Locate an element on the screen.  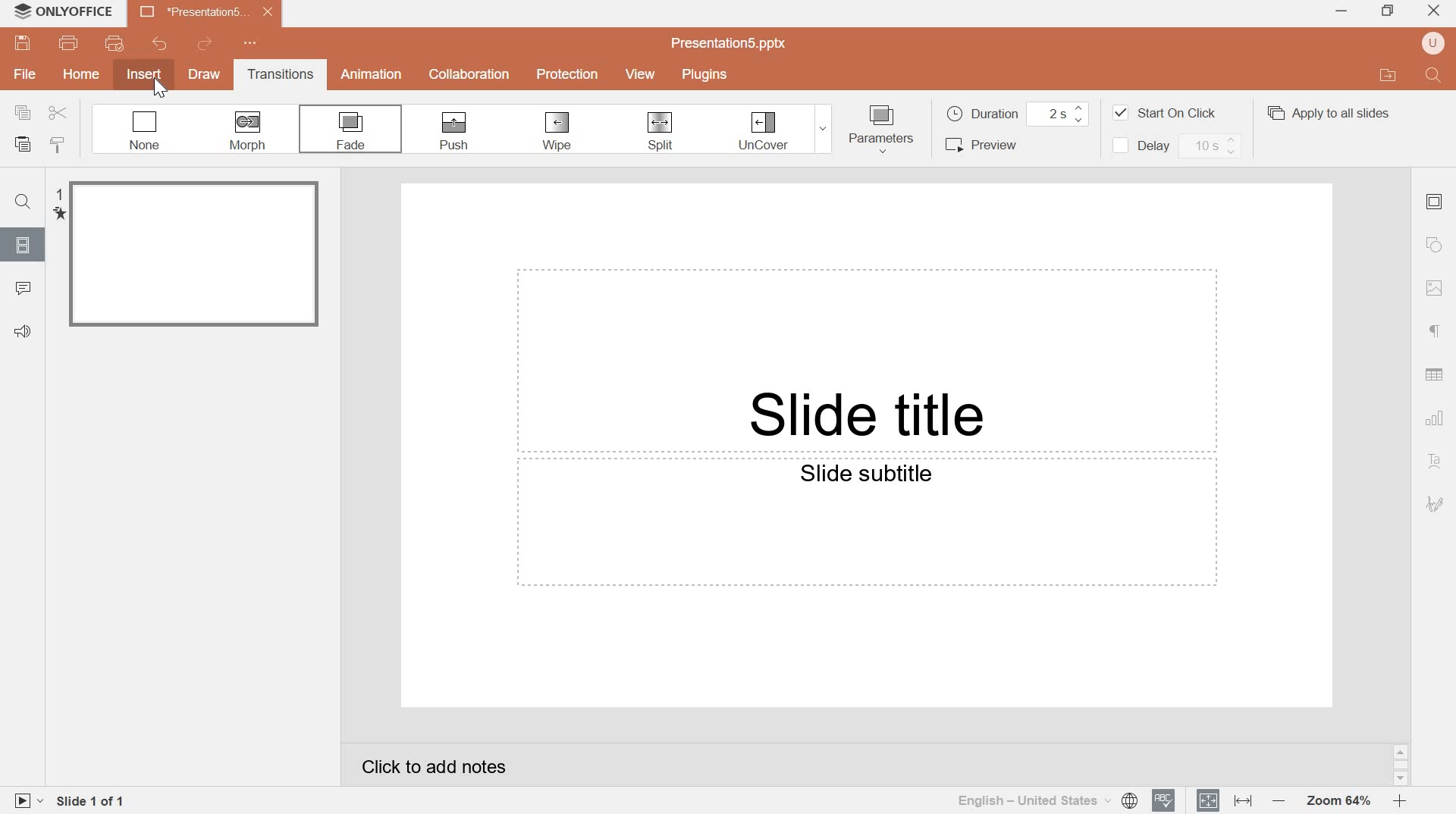
slide settings is located at coordinates (1434, 202).